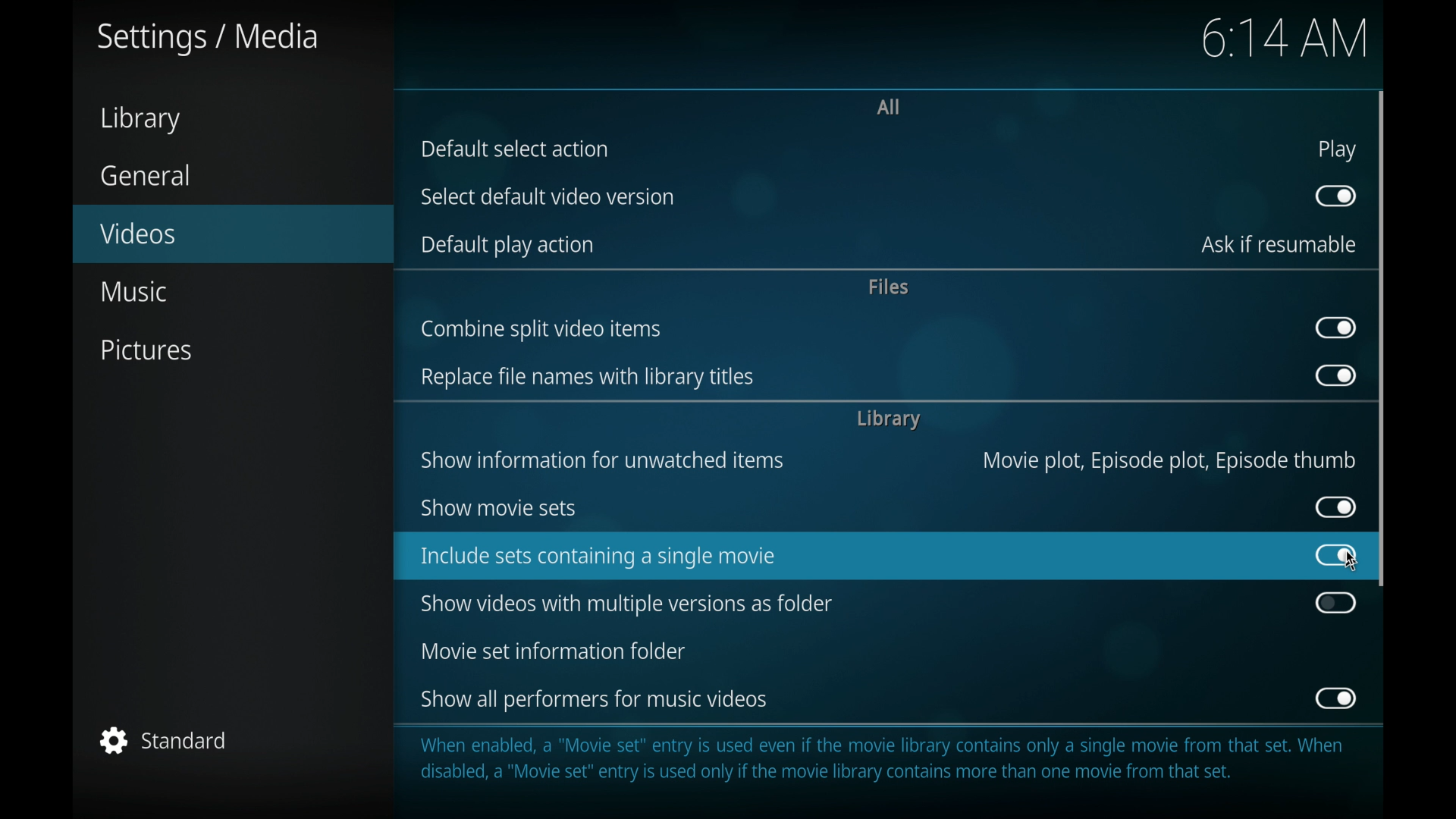 Image resolution: width=1456 pixels, height=819 pixels. I want to click on combine split video items, so click(541, 330).